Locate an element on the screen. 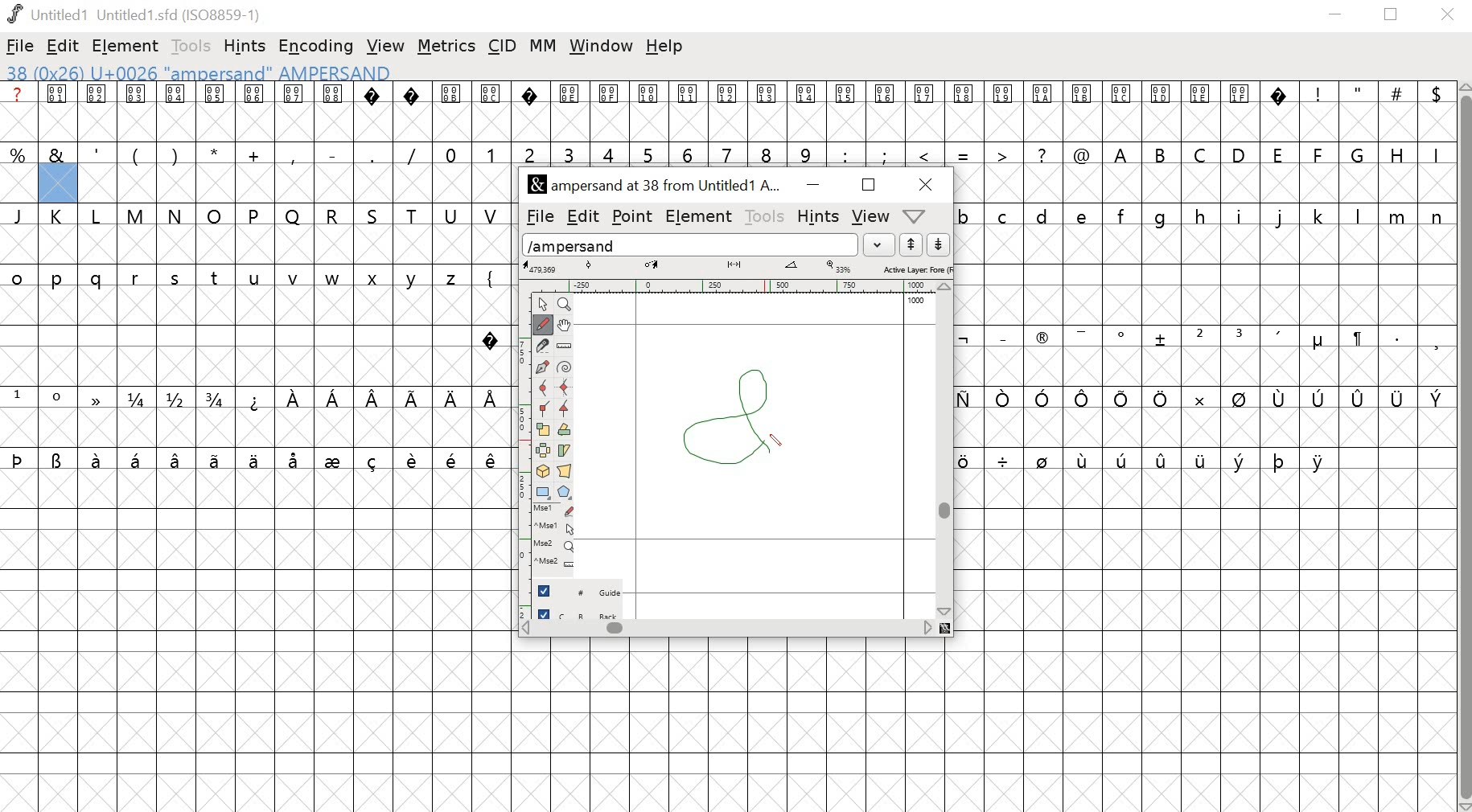 The height and width of the screenshot is (812, 1472). g is located at coordinates (1165, 216).